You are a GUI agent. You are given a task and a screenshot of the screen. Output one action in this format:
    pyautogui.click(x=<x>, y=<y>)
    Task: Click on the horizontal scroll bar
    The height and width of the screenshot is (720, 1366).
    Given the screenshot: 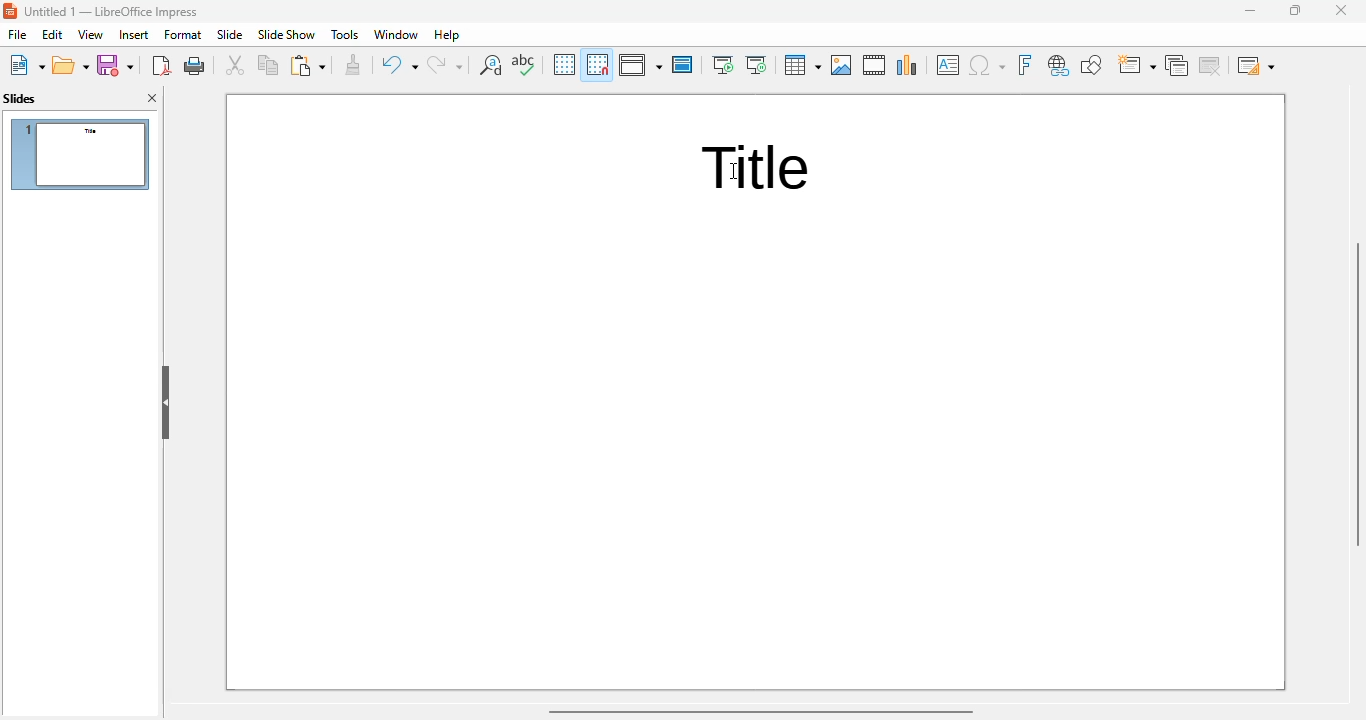 What is the action you would take?
    pyautogui.click(x=762, y=711)
    